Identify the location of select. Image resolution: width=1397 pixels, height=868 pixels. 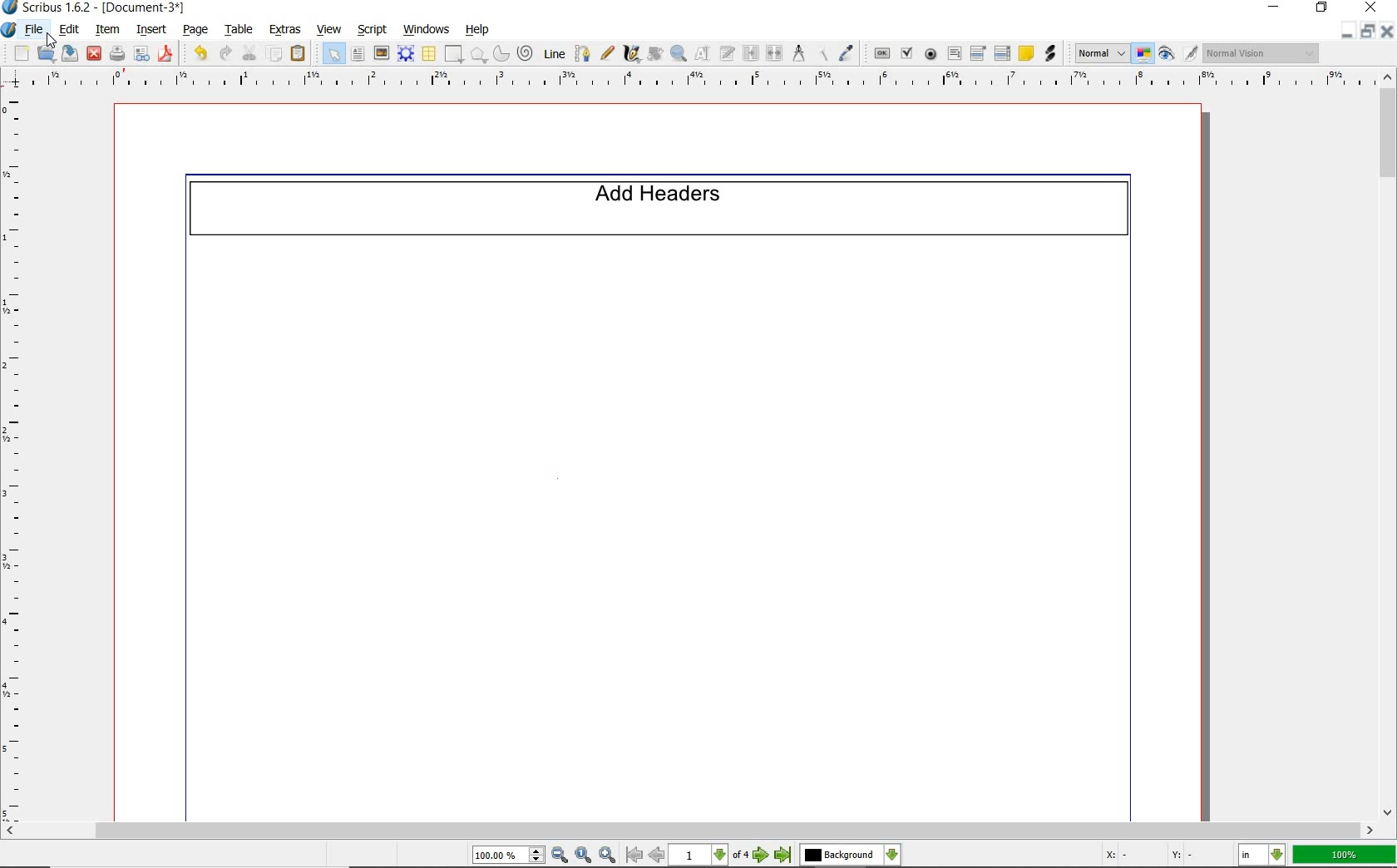
(335, 57).